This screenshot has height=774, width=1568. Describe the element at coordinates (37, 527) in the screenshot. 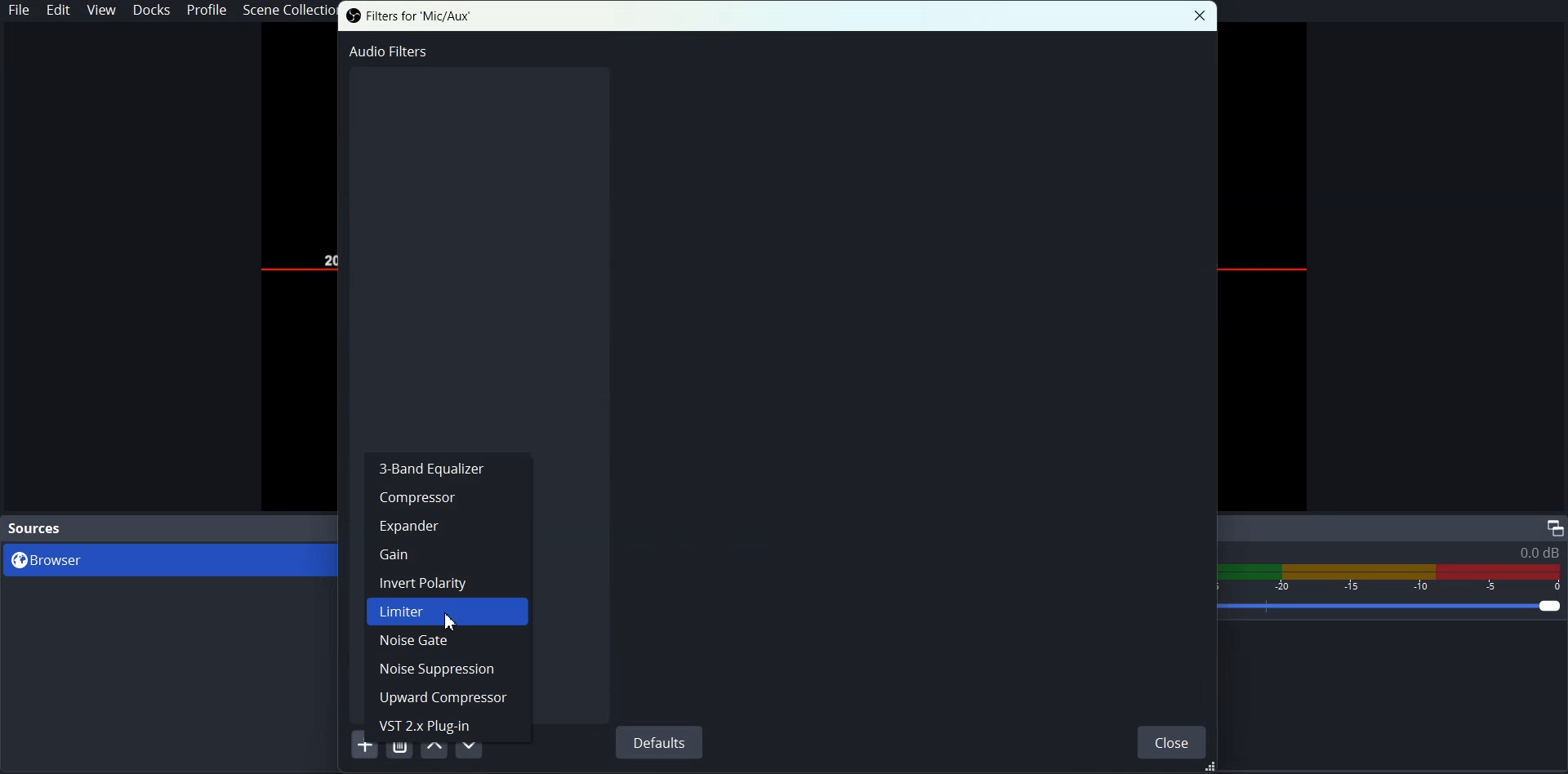

I see `Source ` at that location.